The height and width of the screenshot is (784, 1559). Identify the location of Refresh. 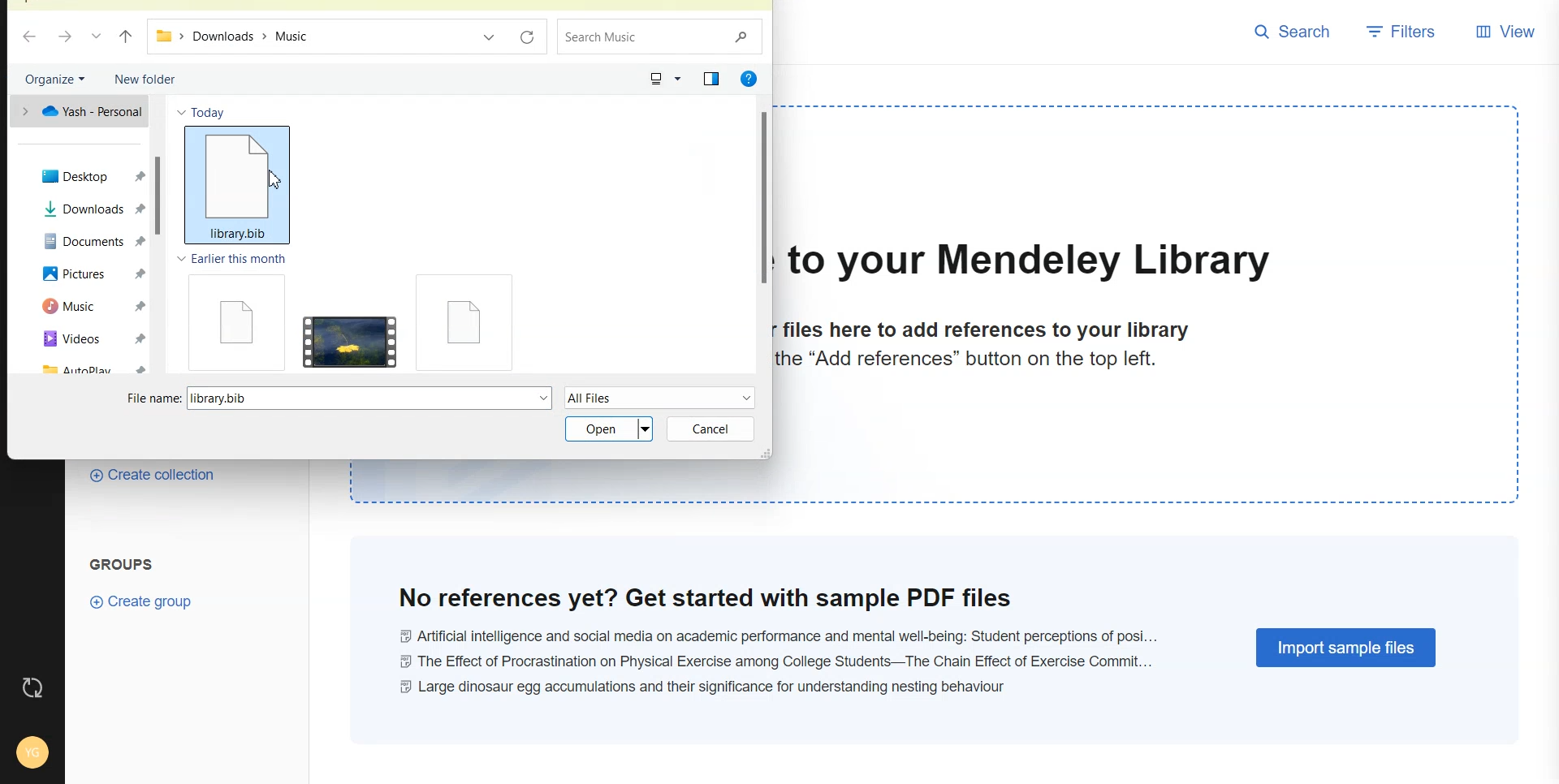
(526, 36).